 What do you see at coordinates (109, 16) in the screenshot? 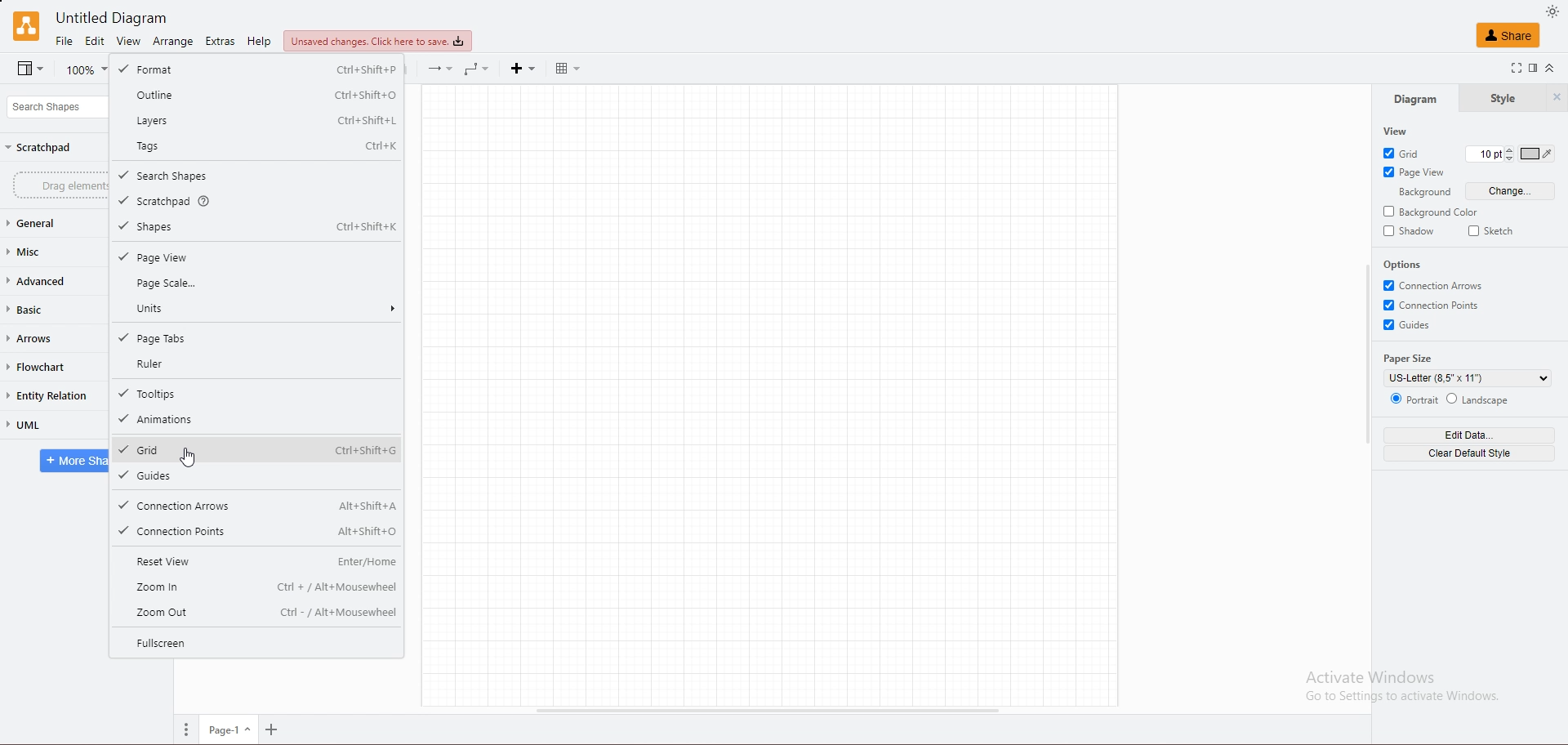
I see `Untitled Diagram` at bounding box center [109, 16].